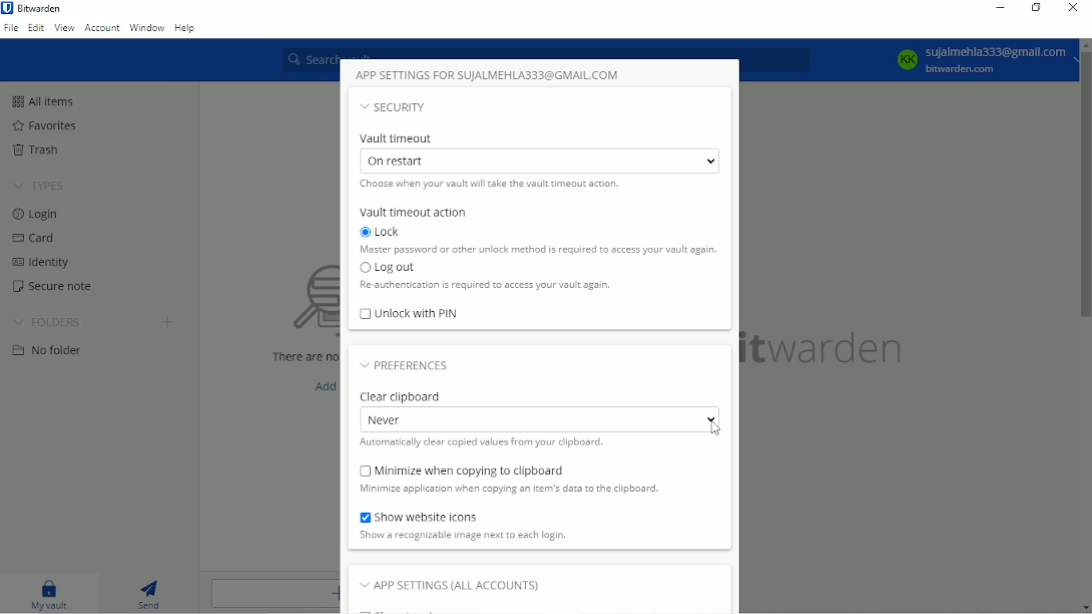 The height and width of the screenshot is (614, 1092). I want to click on My vault, so click(50, 594).